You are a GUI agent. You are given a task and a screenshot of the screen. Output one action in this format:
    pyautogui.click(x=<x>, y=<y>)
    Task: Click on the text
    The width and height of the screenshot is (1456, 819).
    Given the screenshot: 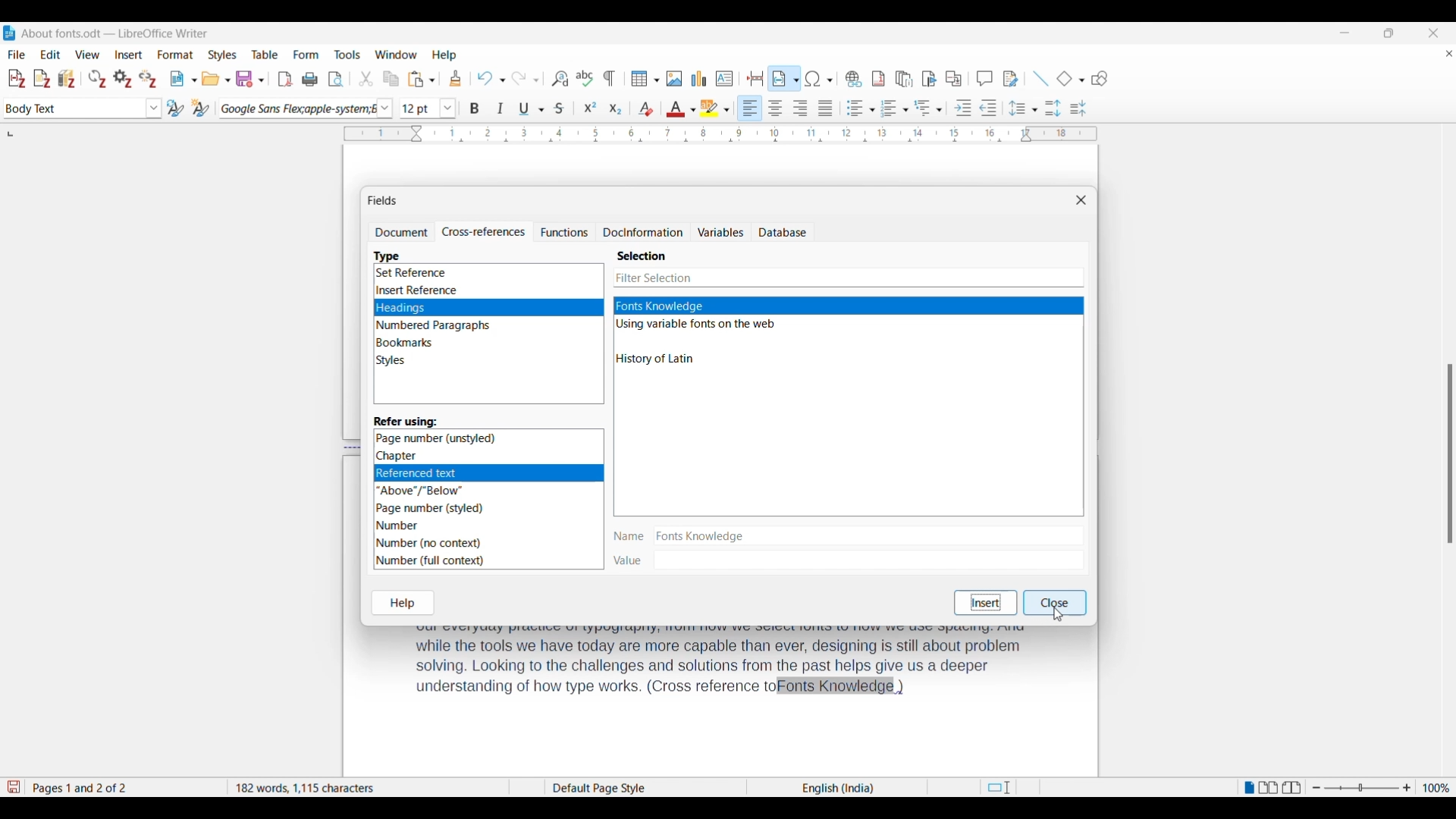 What is the action you would take?
    pyautogui.click(x=719, y=665)
    